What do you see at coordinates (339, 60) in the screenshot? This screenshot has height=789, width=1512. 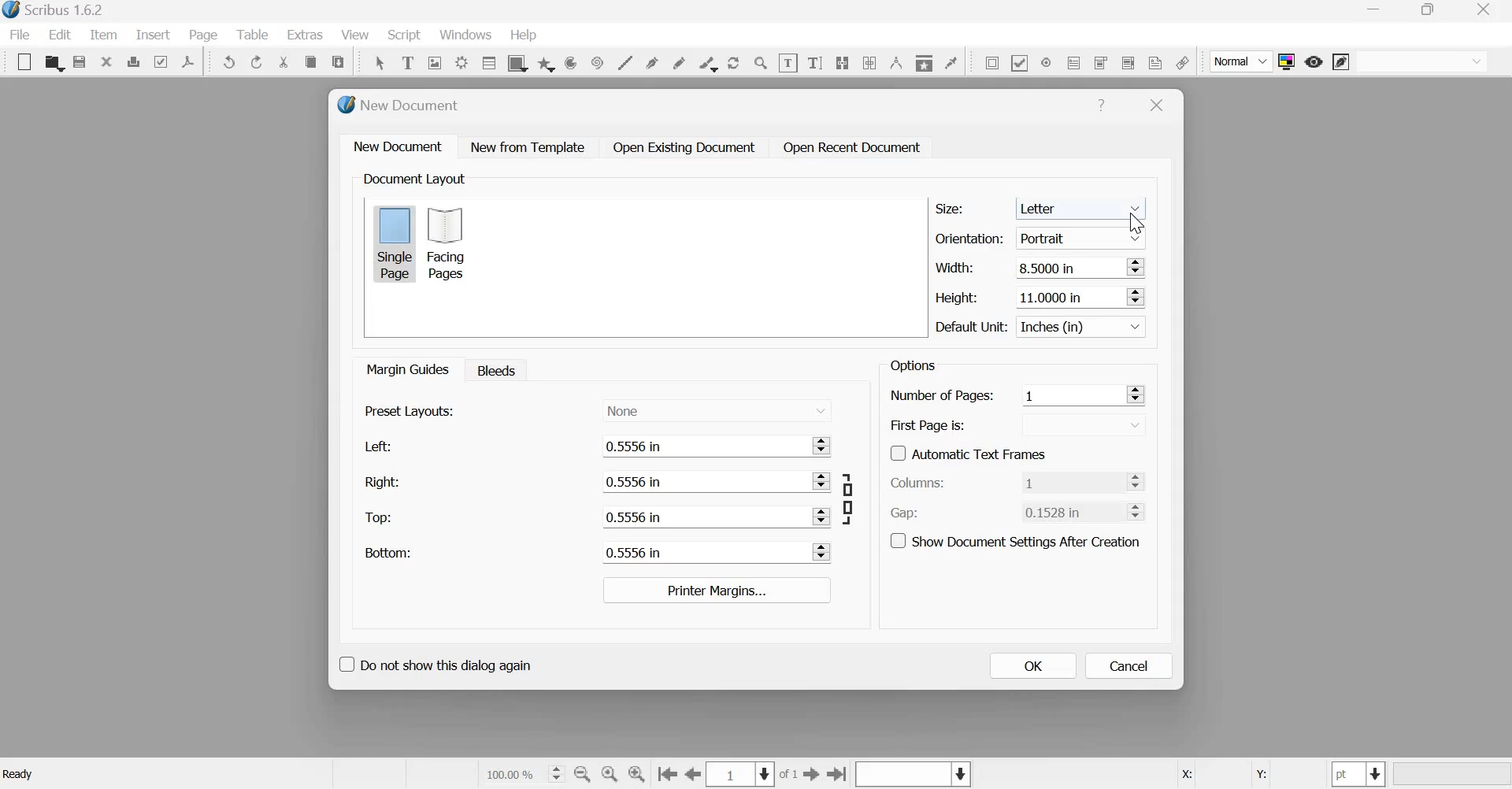 I see `paste` at bounding box center [339, 60].